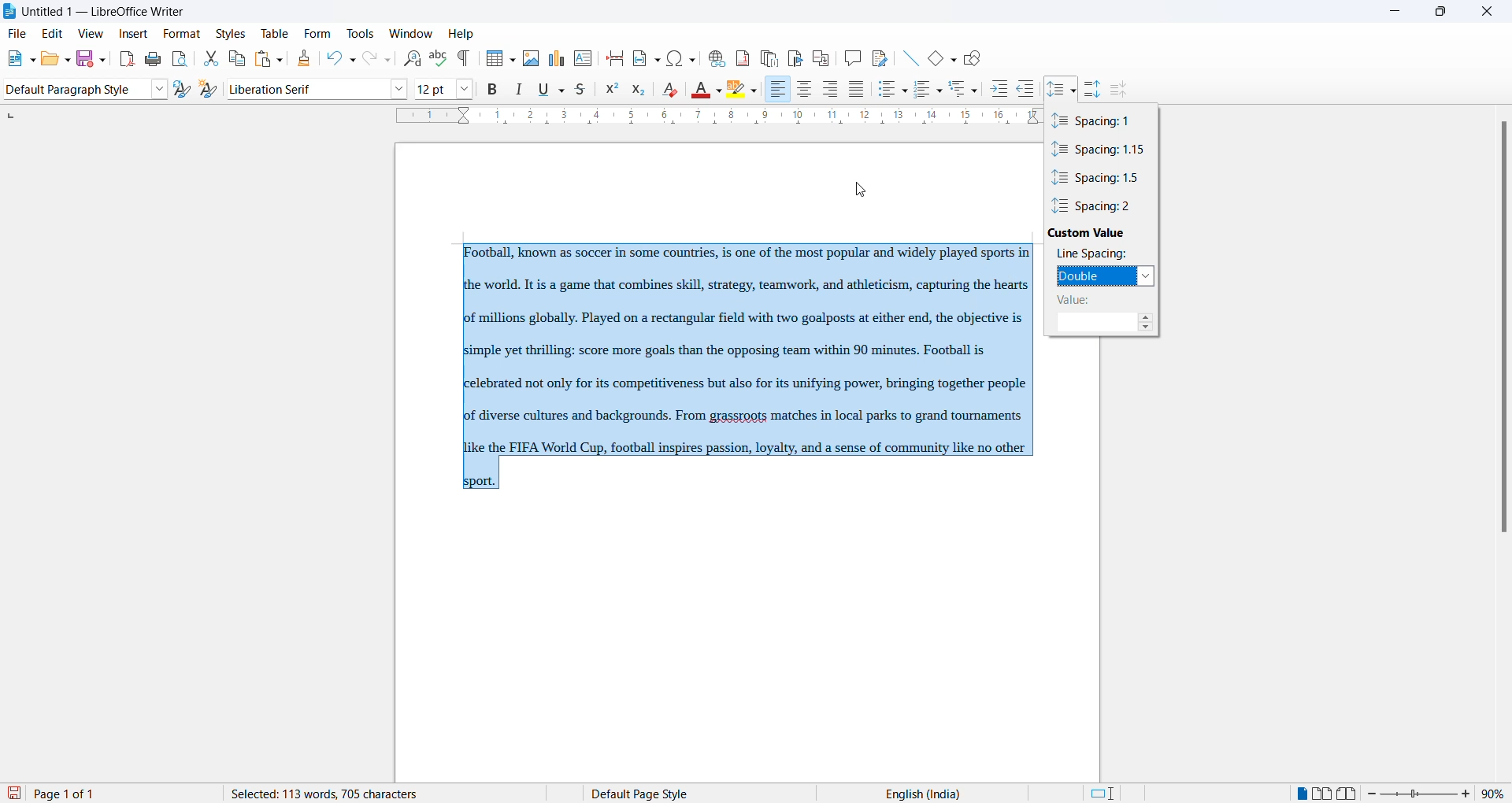  Describe the element at coordinates (399, 88) in the screenshot. I see `font options` at that location.